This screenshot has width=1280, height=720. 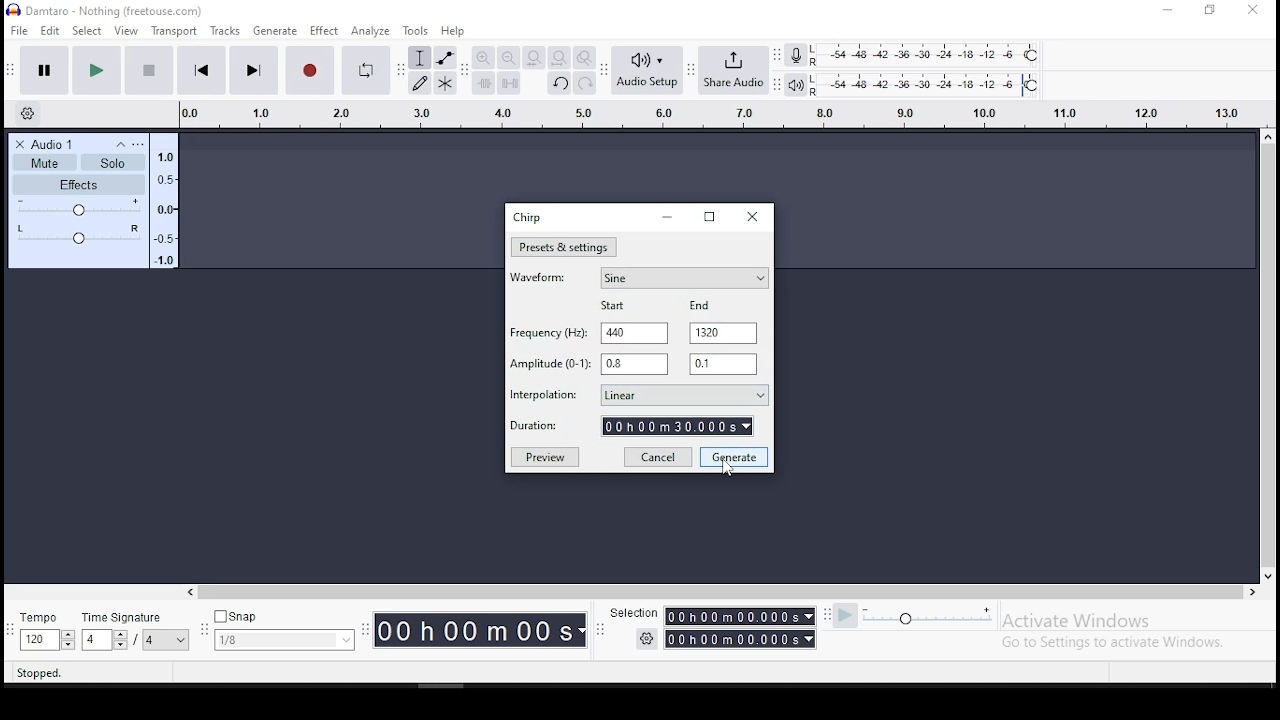 What do you see at coordinates (419, 83) in the screenshot?
I see `draw tool` at bounding box center [419, 83].